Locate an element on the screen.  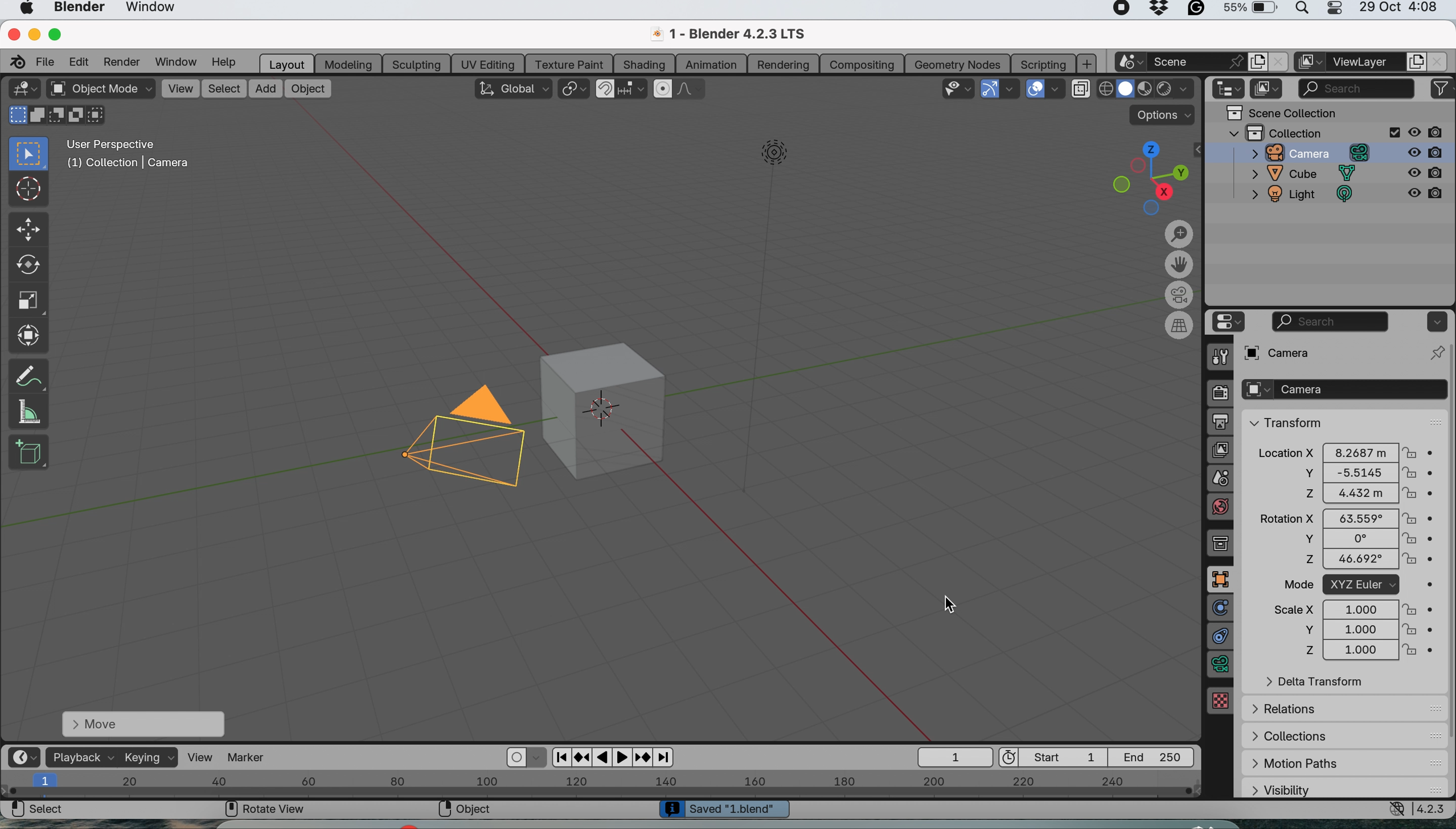
object is located at coordinates (308, 89).